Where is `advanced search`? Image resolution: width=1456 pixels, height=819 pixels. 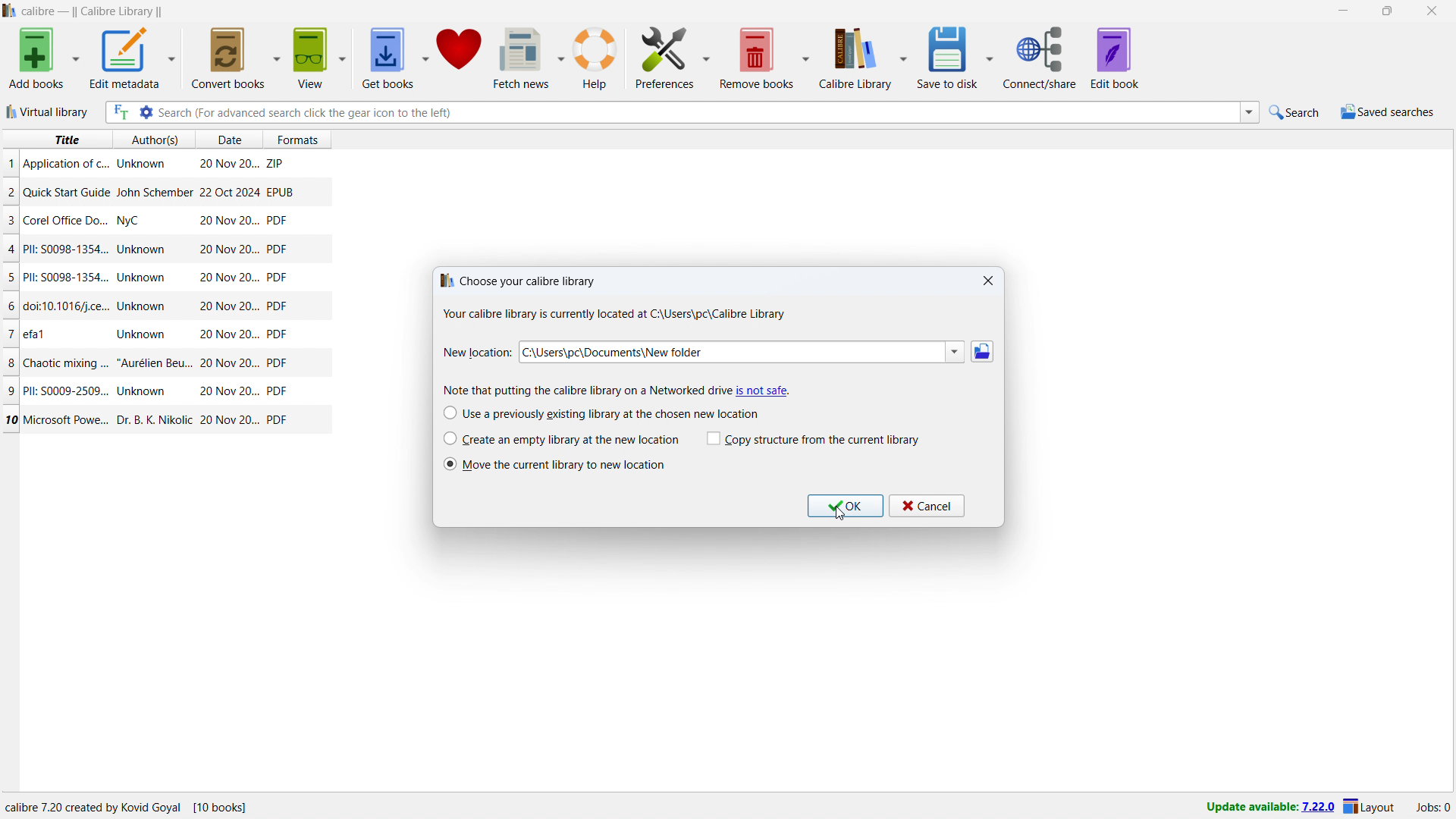 advanced search is located at coordinates (145, 112).